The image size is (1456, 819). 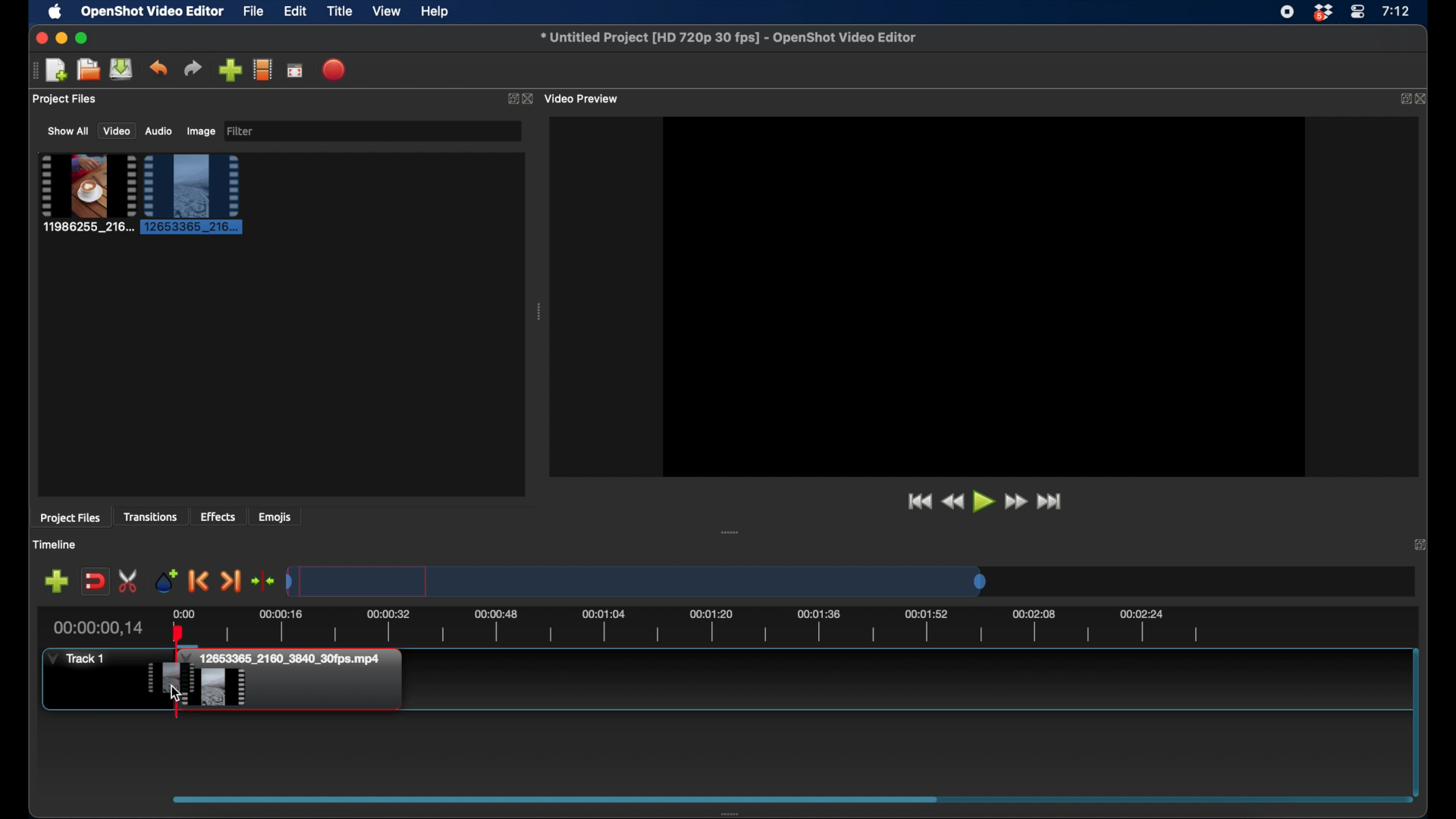 I want to click on redo, so click(x=193, y=68).